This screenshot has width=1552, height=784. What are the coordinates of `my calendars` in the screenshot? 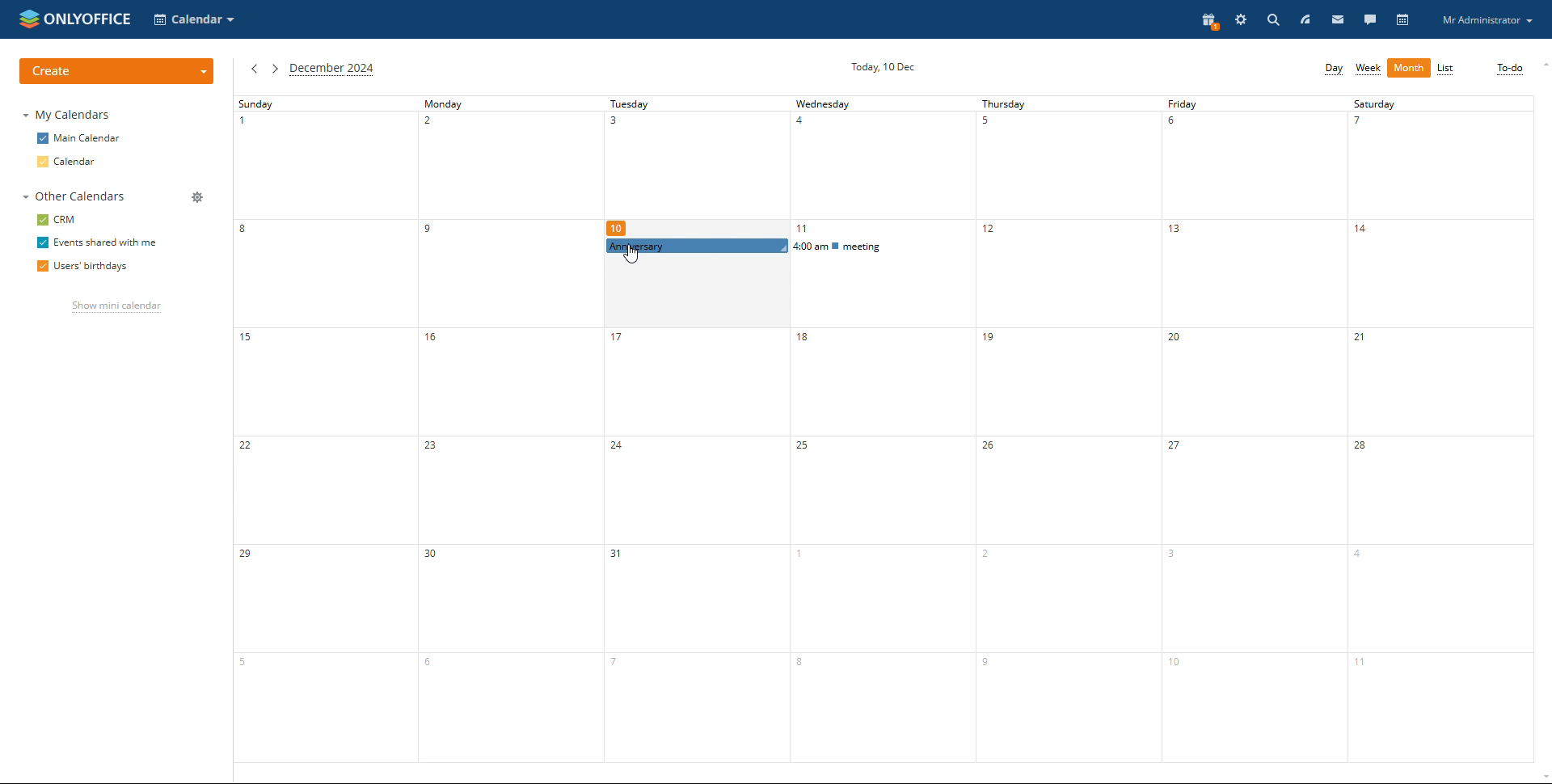 It's located at (65, 114).